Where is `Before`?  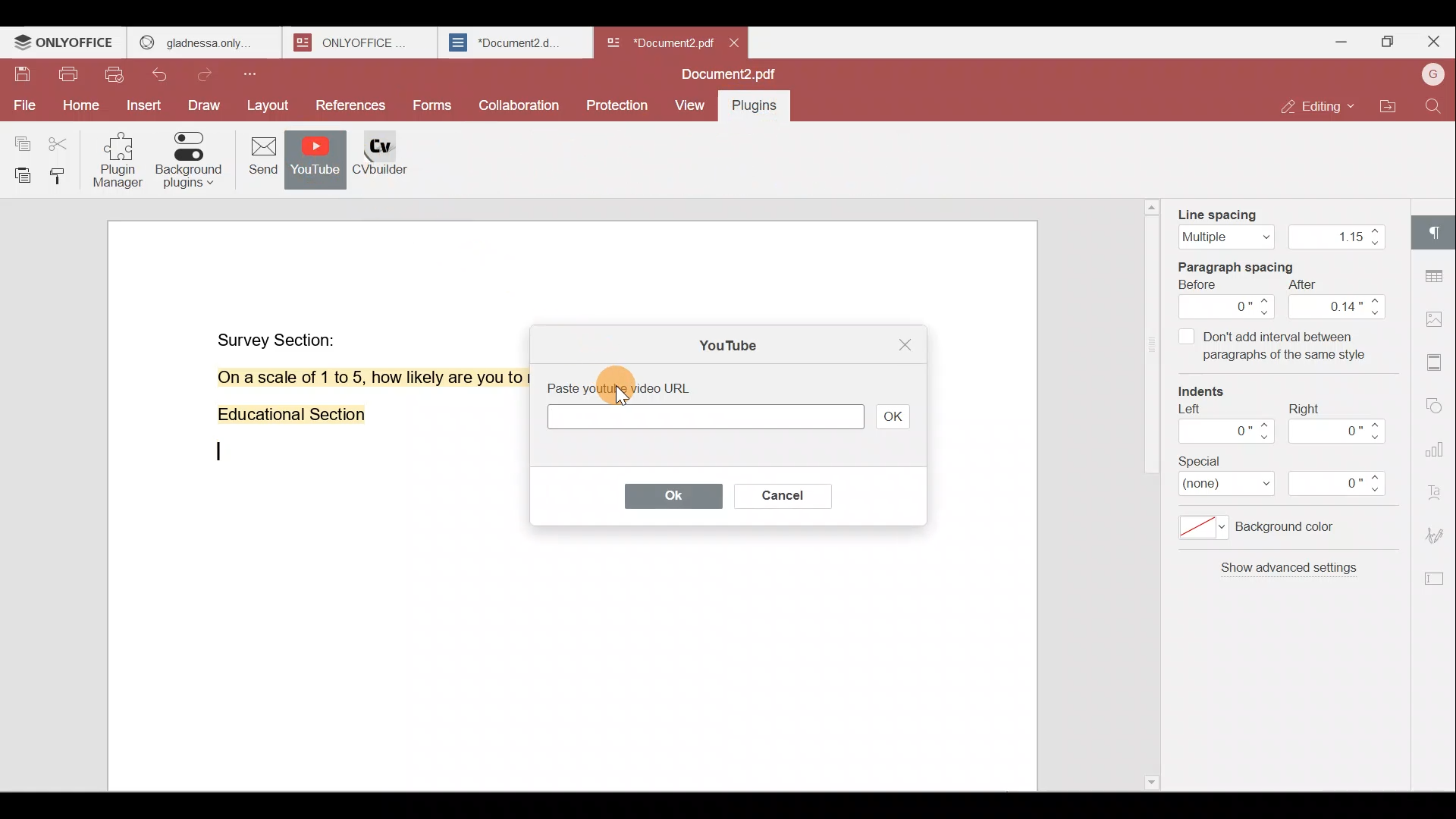 Before is located at coordinates (1228, 300).